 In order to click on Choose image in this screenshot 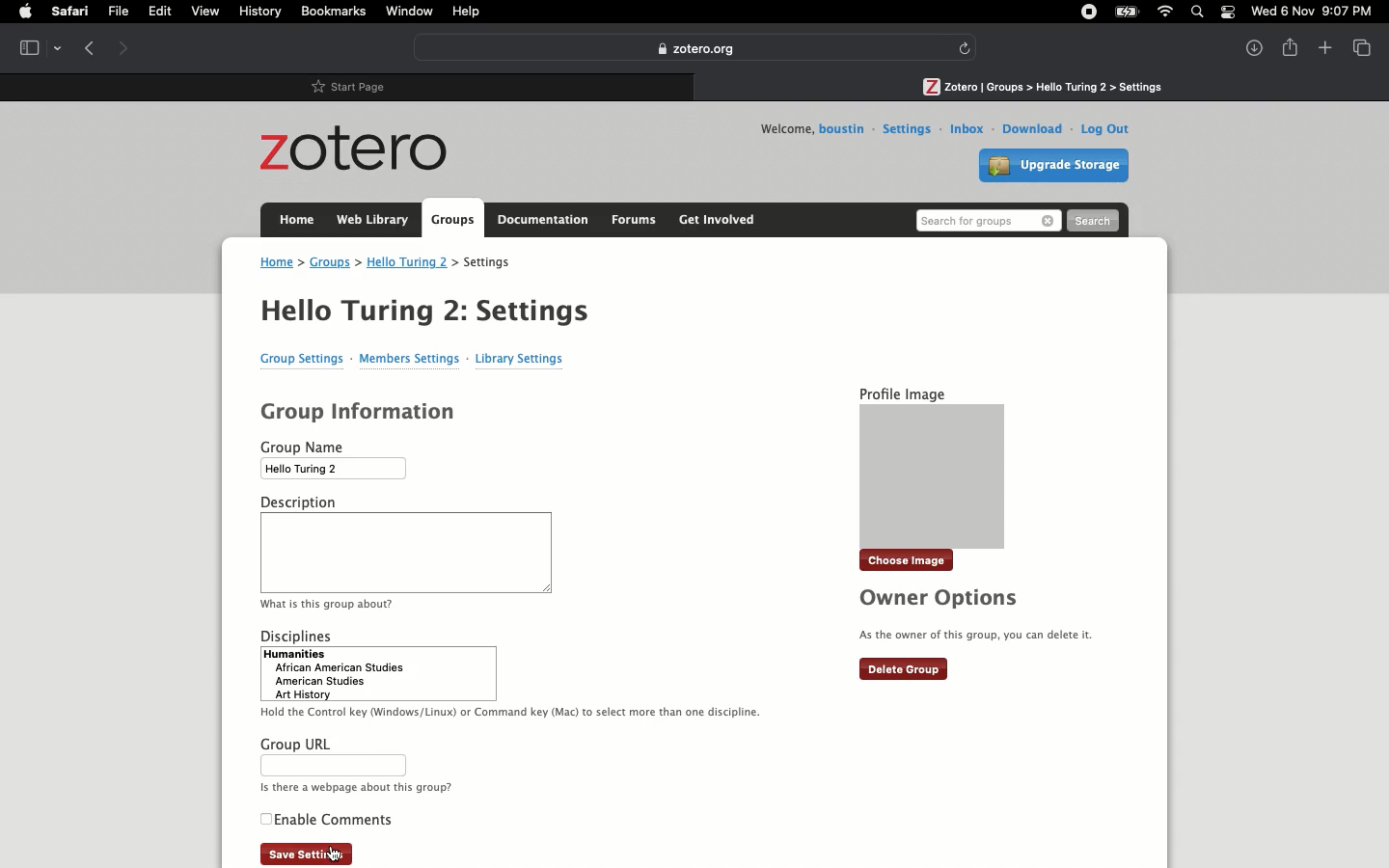, I will do `click(907, 561)`.